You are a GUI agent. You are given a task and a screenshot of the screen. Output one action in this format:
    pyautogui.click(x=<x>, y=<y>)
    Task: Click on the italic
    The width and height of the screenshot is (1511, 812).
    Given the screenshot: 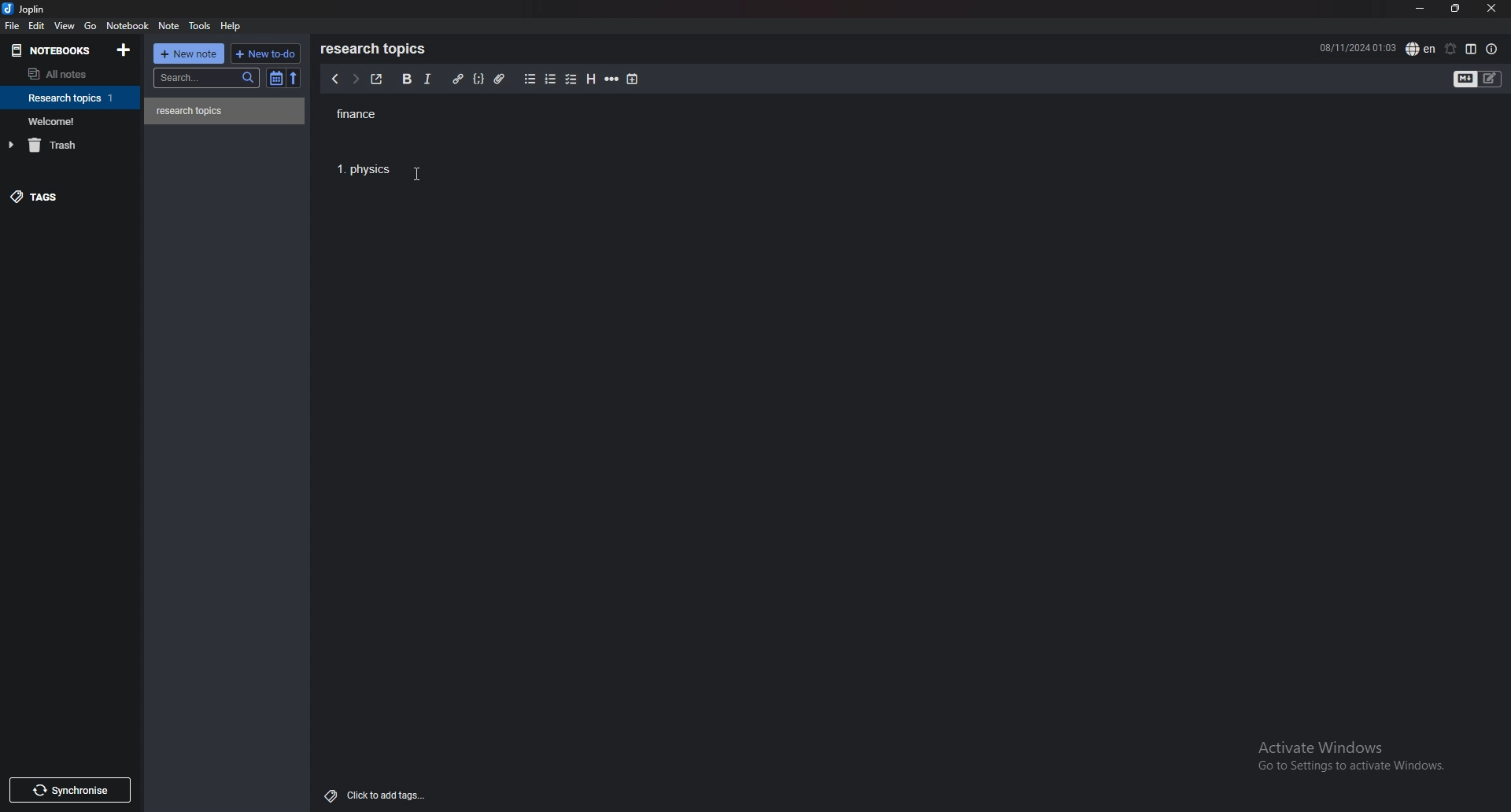 What is the action you would take?
    pyautogui.click(x=427, y=79)
    